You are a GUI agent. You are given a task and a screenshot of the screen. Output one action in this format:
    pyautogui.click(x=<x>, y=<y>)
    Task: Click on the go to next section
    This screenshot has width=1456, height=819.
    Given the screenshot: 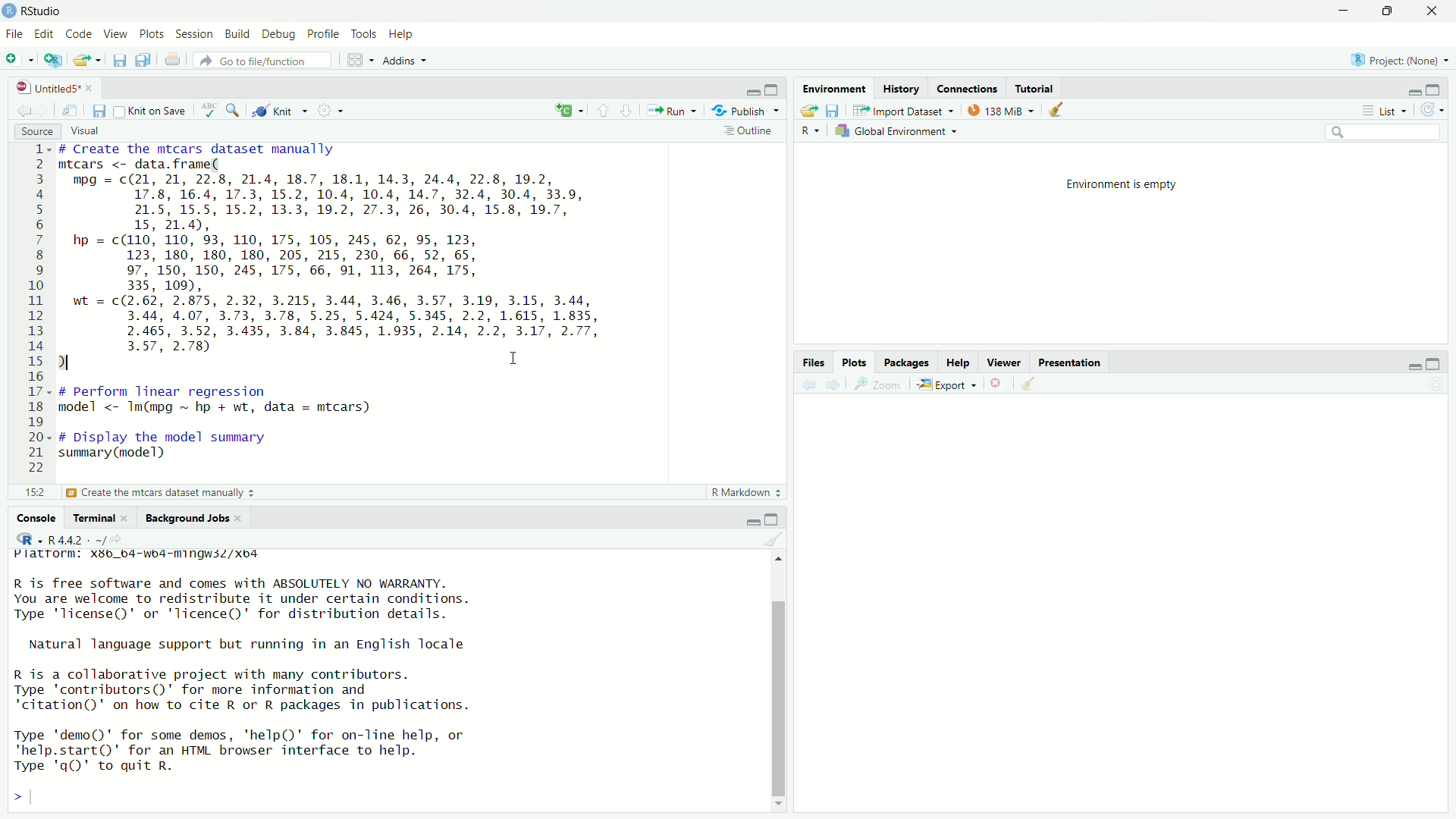 What is the action you would take?
    pyautogui.click(x=627, y=110)
    